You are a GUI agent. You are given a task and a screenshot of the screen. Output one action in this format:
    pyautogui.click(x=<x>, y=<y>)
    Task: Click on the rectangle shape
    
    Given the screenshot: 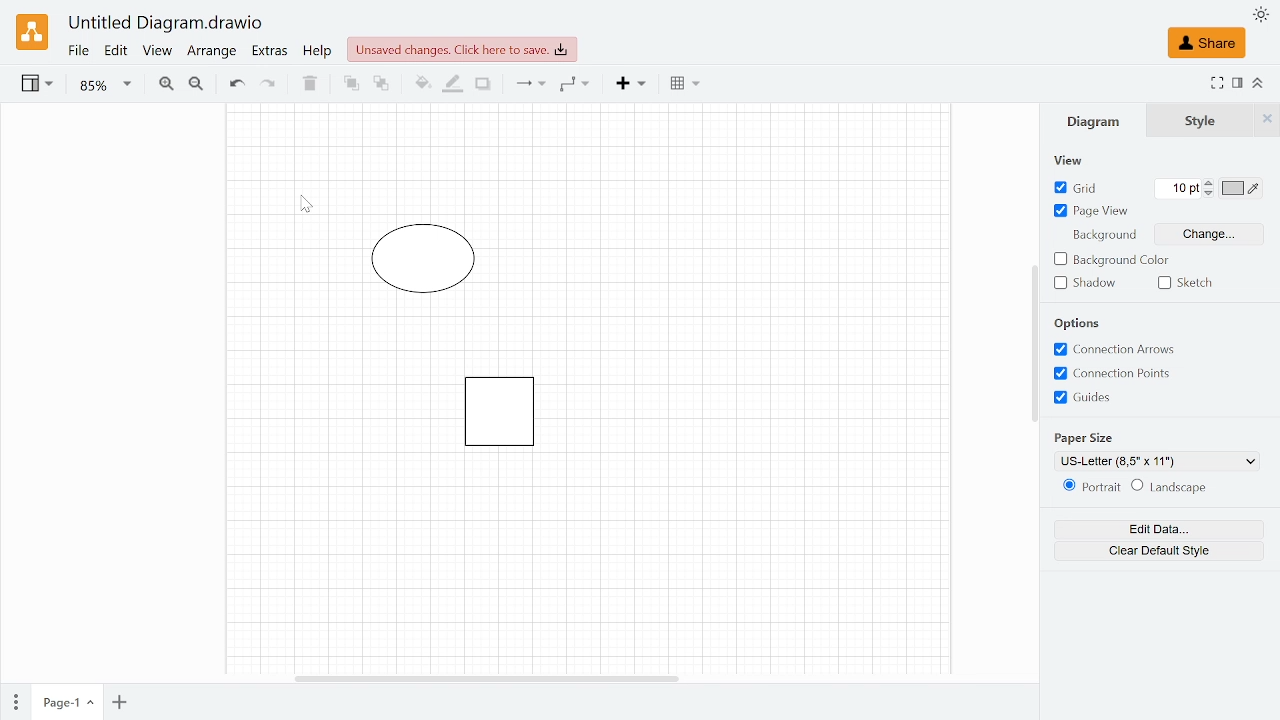 What is the action you would take?
    pyautogui.click(x=495, y=415)
    